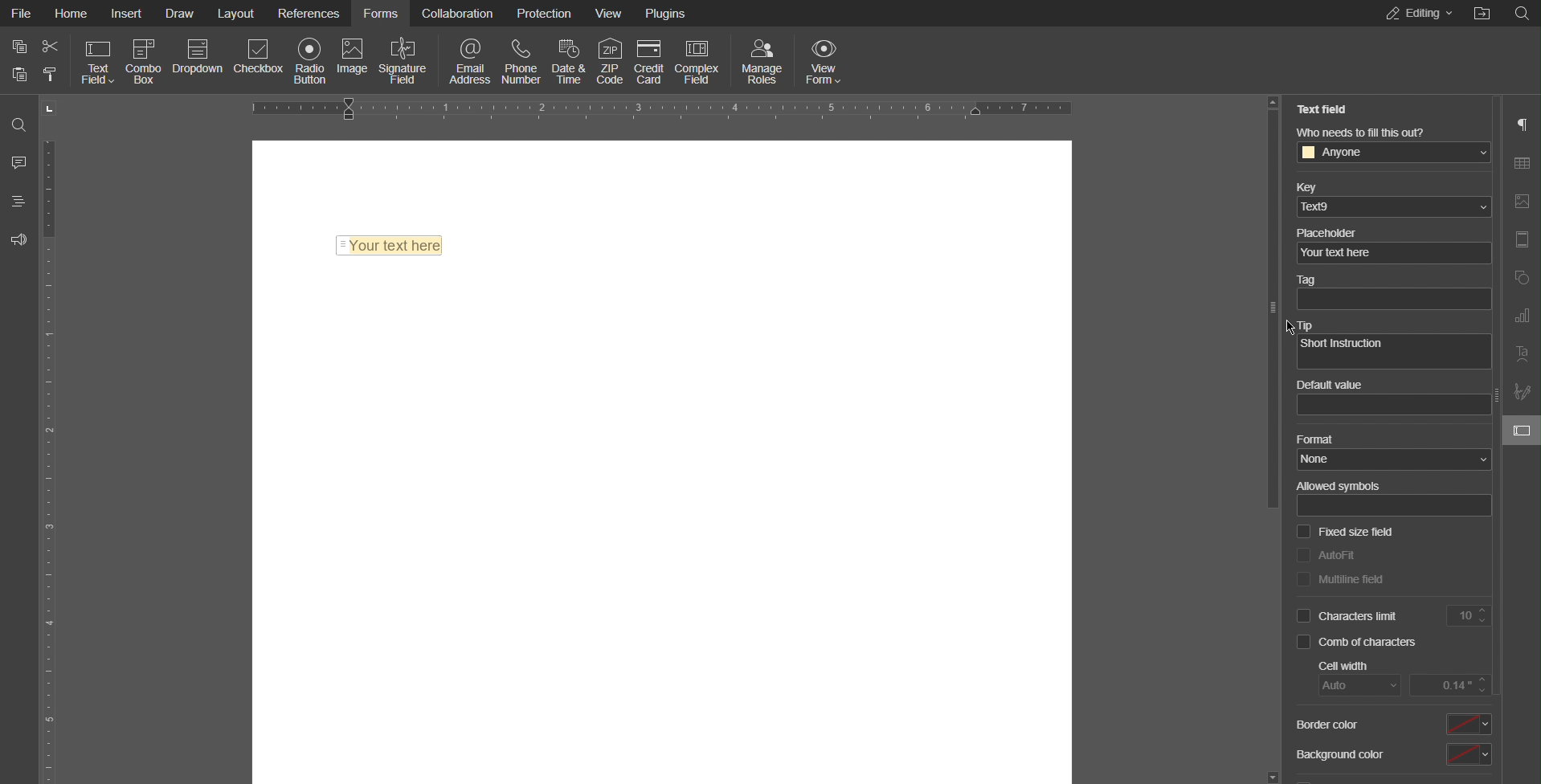 This screenshot has height=784, width=1541. I want to click on Vertical Ruler, so click(48, 440).